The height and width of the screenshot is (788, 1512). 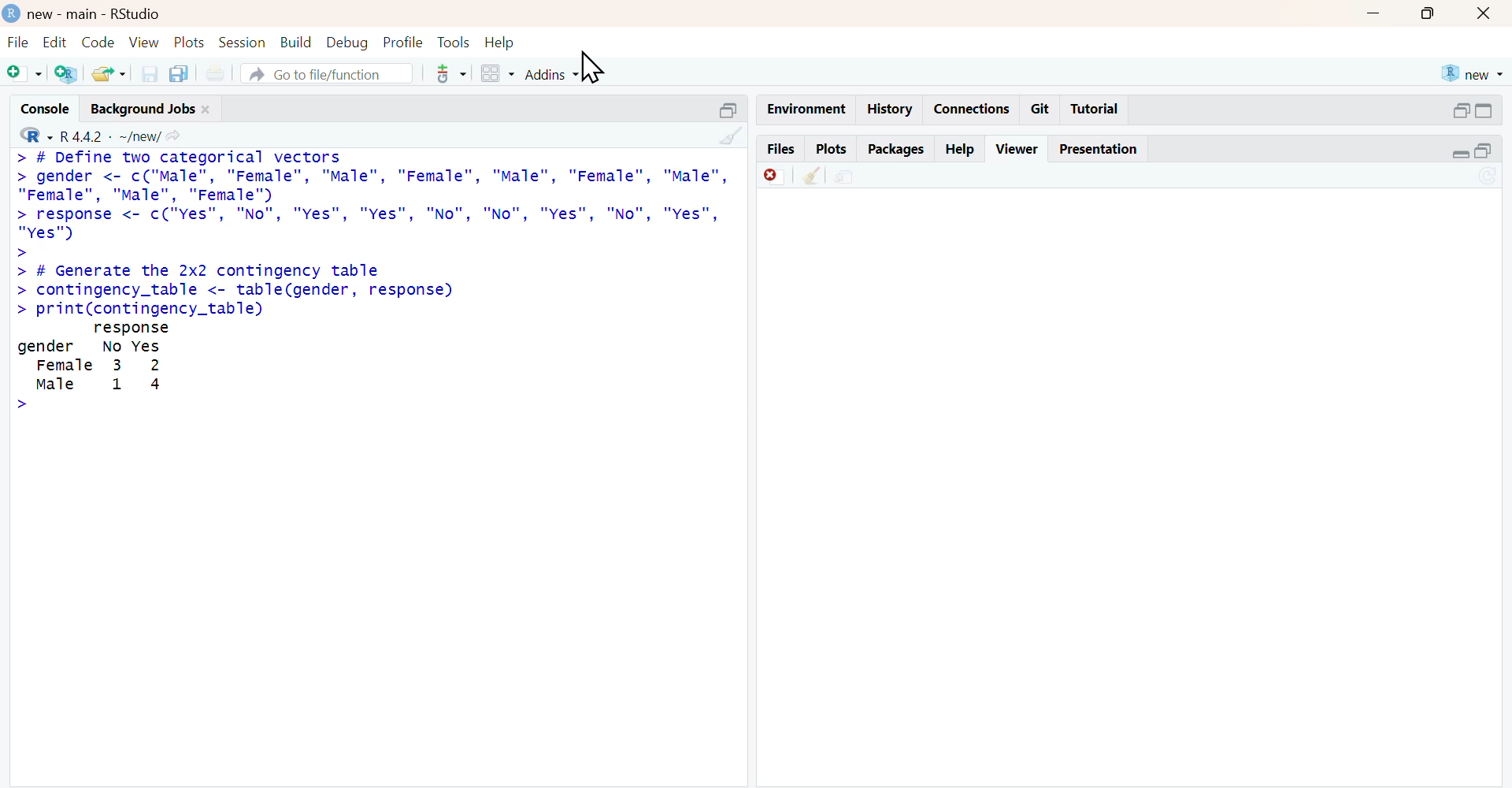 I want to click on logo, so click(x=13, y=13).